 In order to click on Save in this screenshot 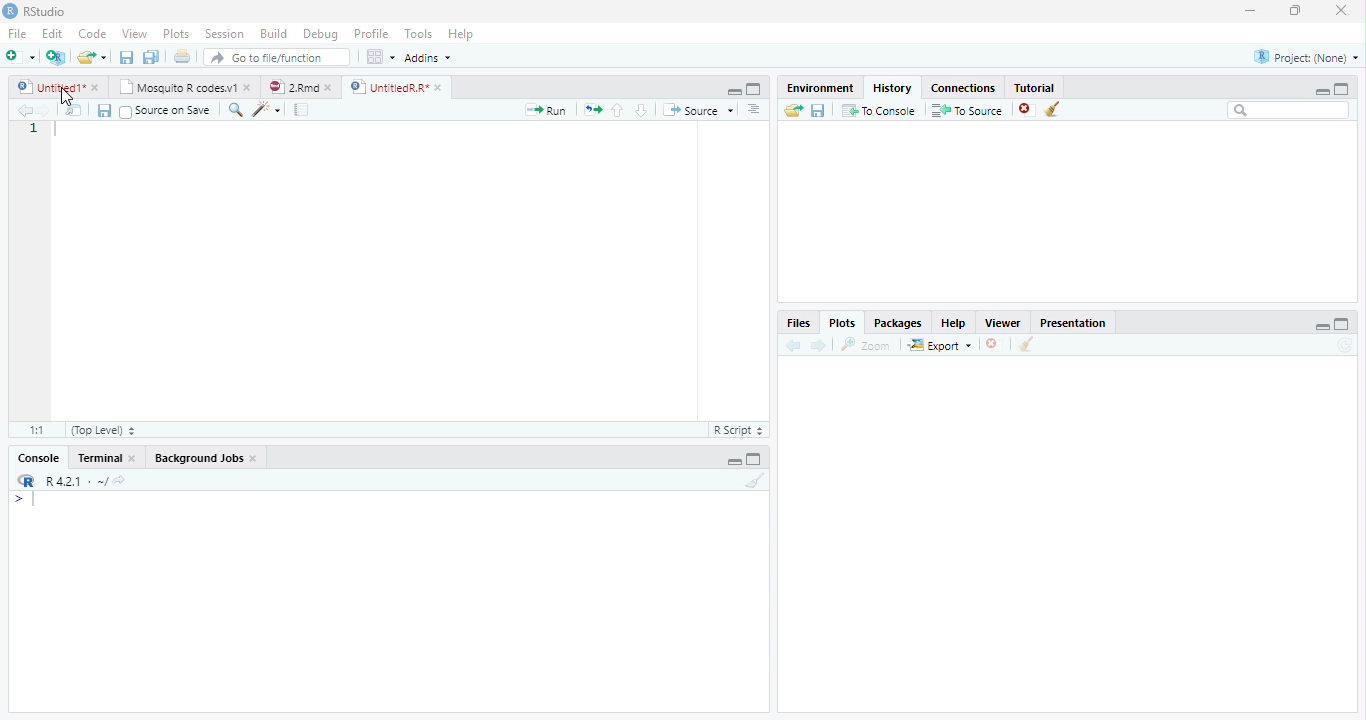, I will do `click(820, 111)`.